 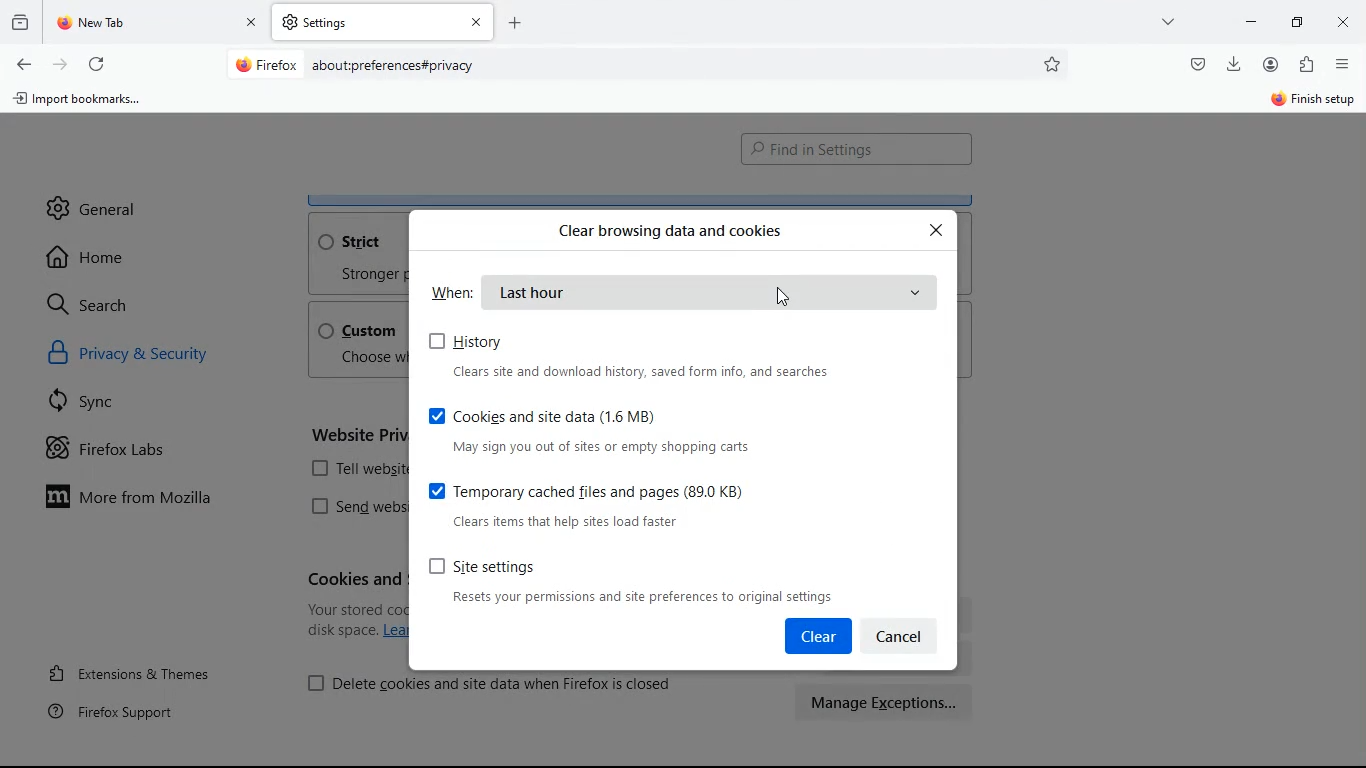 I want to click on close, so click(x=1346, y=24).